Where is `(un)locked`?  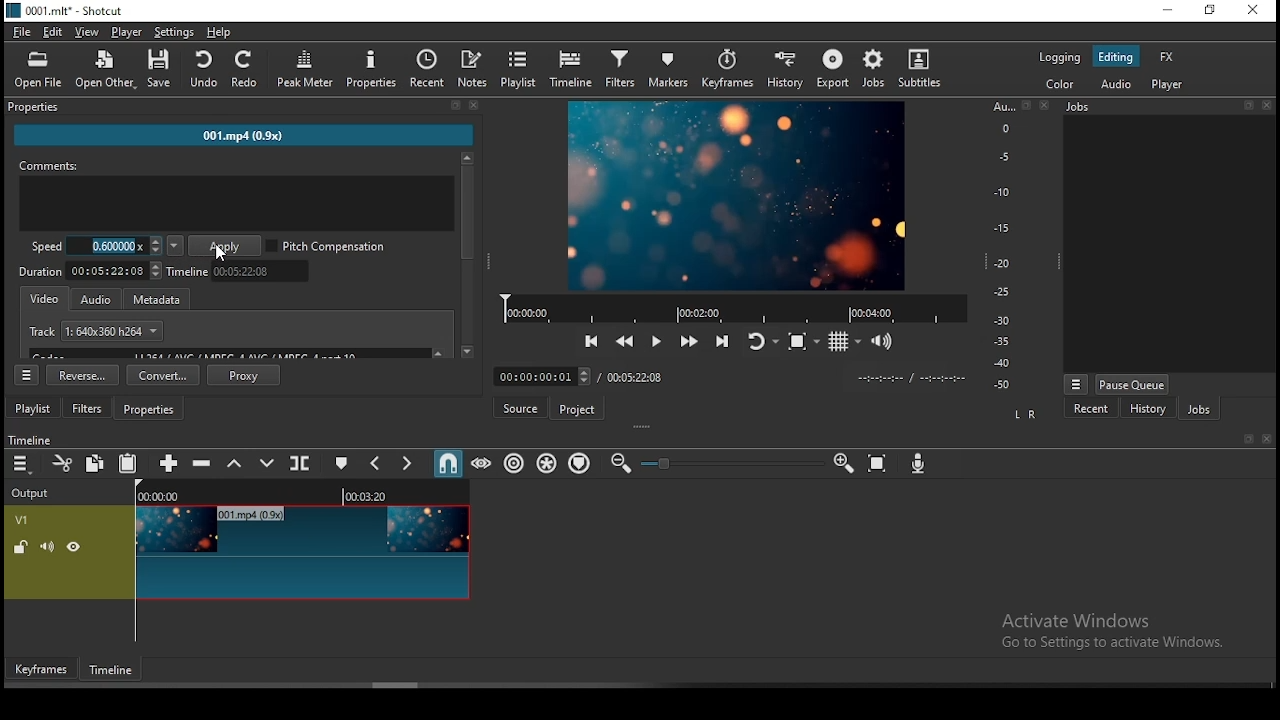
(un)locked is located at coordinates (22, 548).